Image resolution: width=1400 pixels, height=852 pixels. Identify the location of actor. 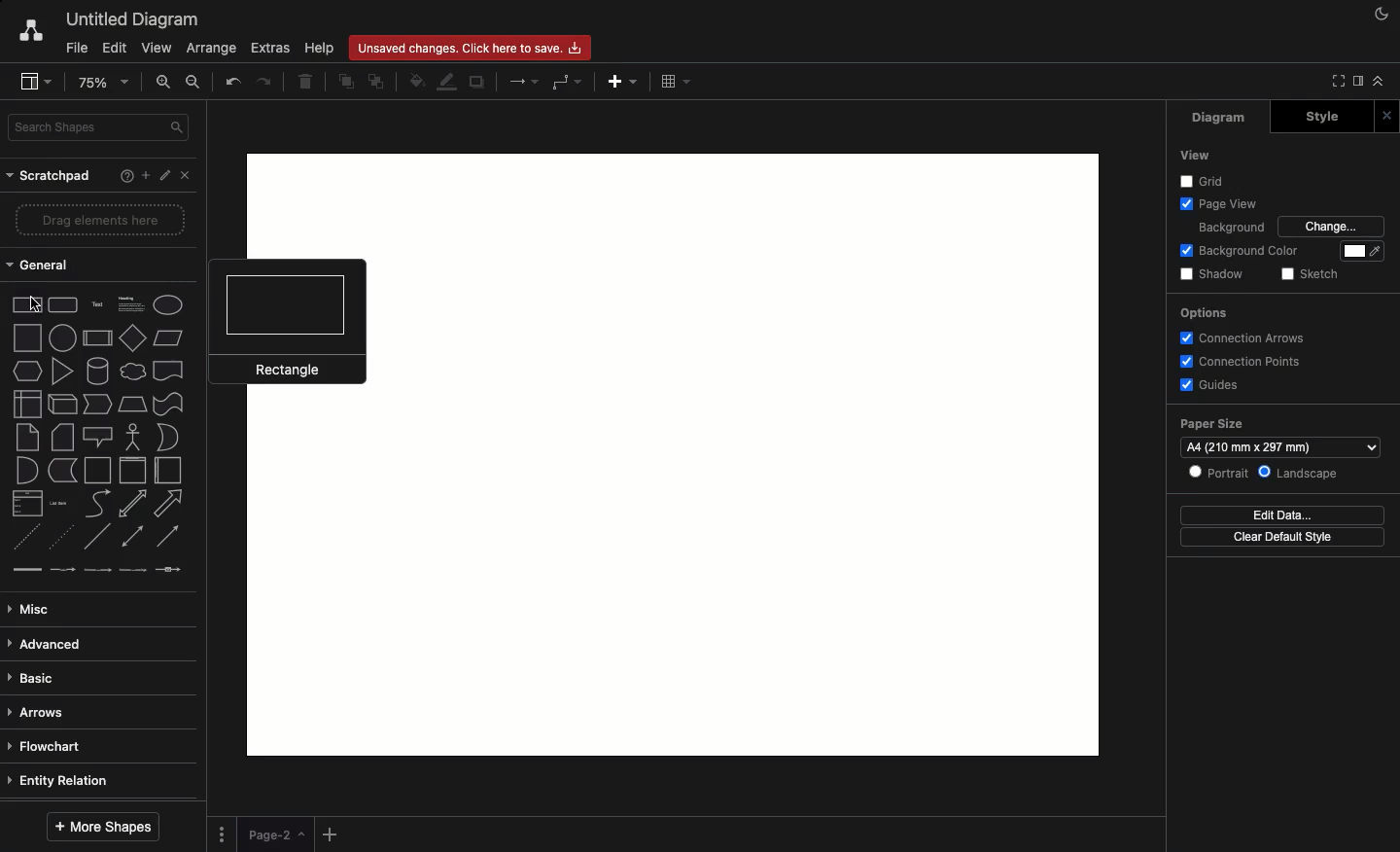
(135, 437).